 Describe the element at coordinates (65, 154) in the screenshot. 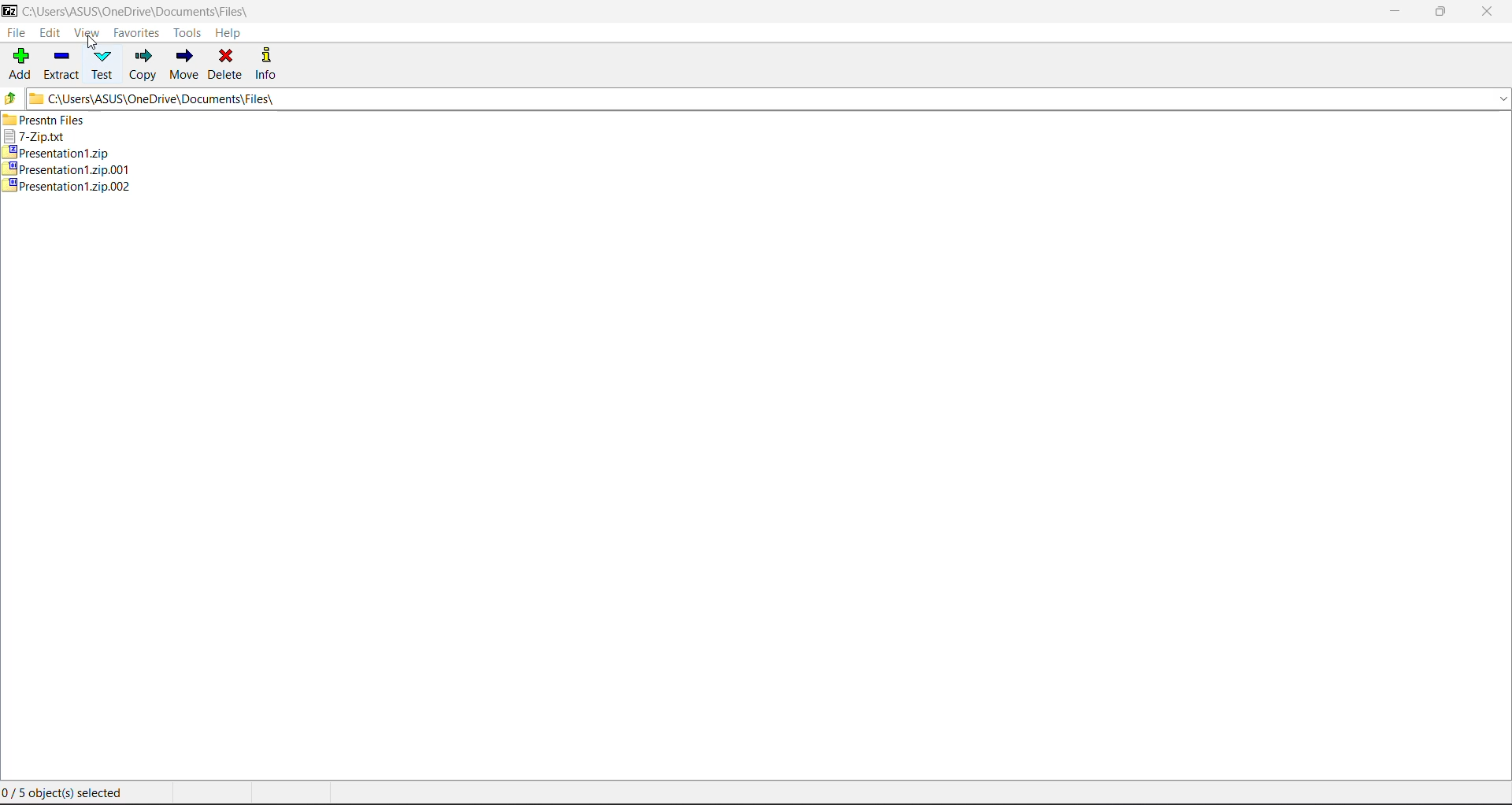

I see `Presentation1.zip` at that location.